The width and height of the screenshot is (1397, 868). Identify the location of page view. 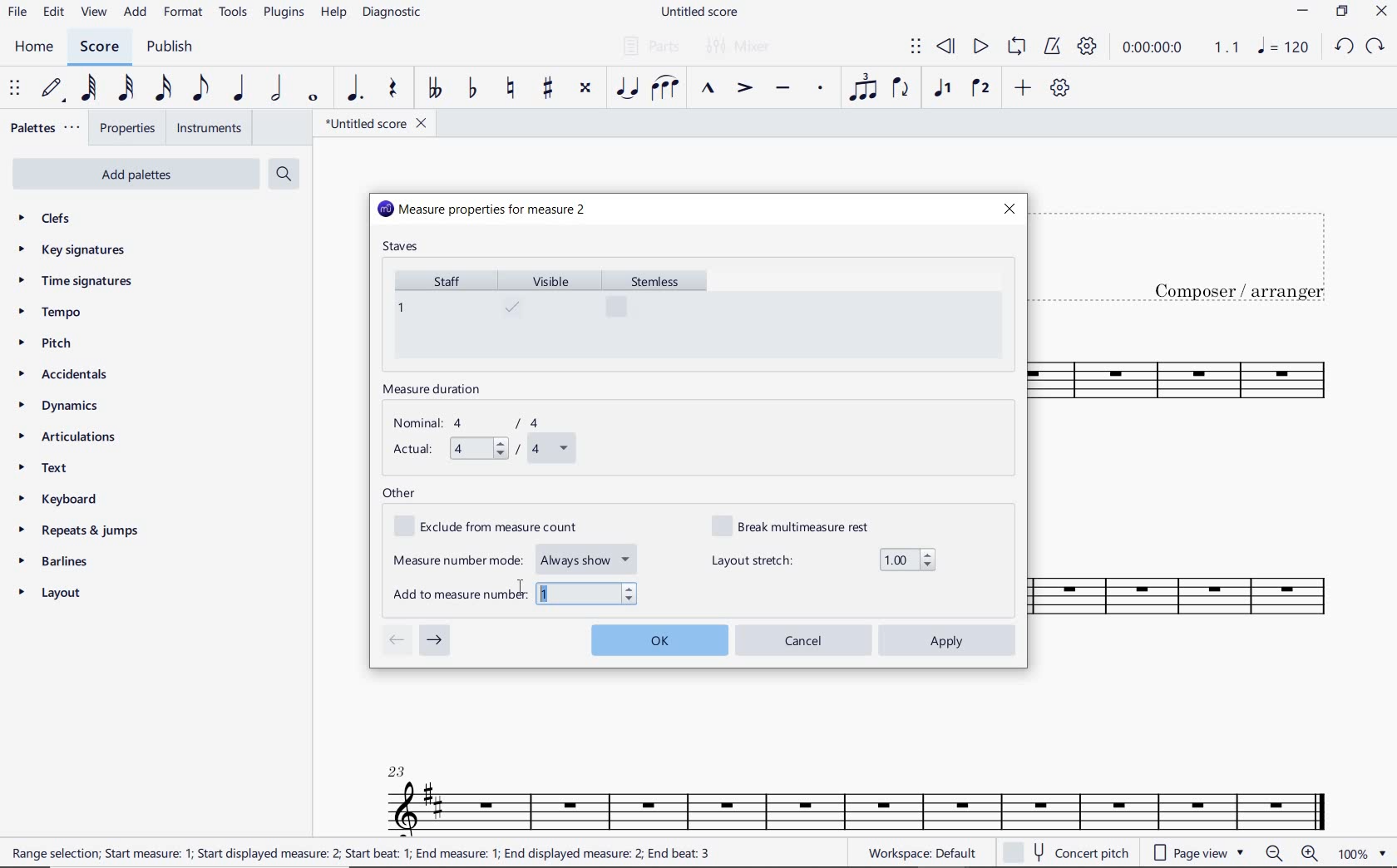
(1196, 852).